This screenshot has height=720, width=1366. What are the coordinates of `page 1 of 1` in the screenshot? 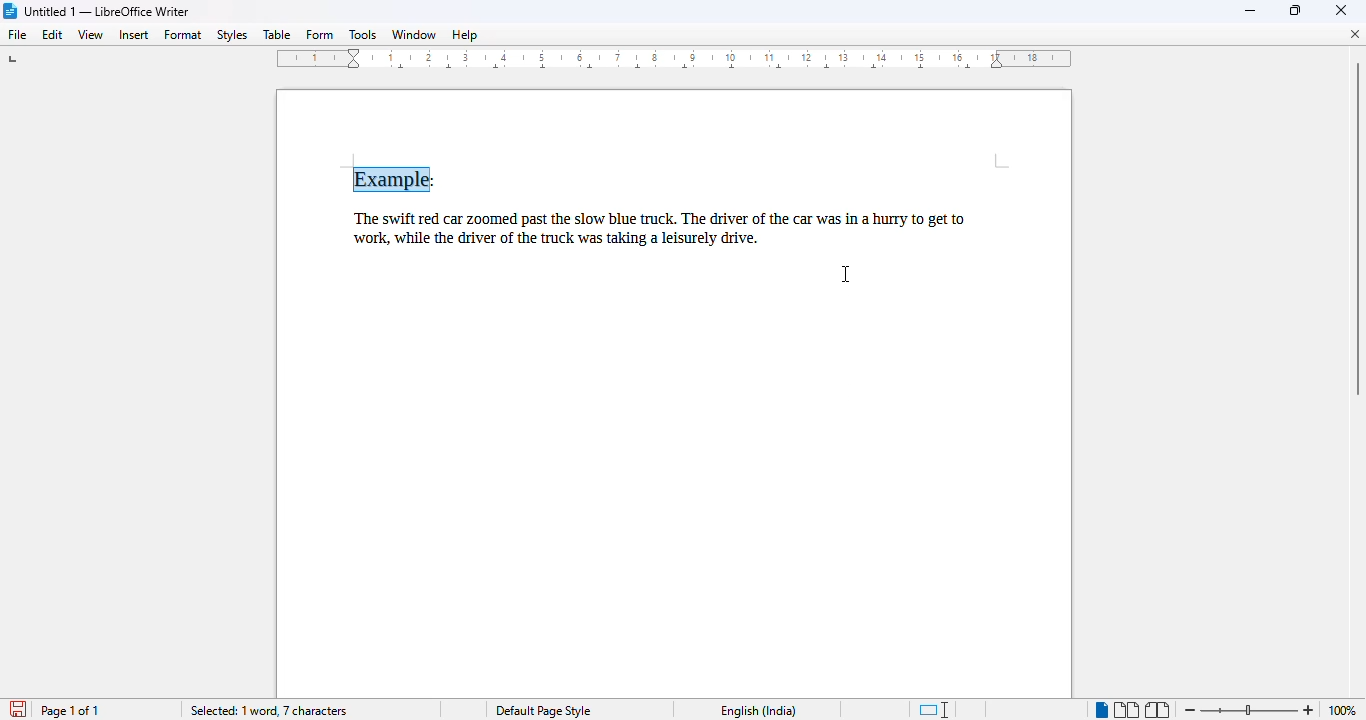 It's located at (70, 710).